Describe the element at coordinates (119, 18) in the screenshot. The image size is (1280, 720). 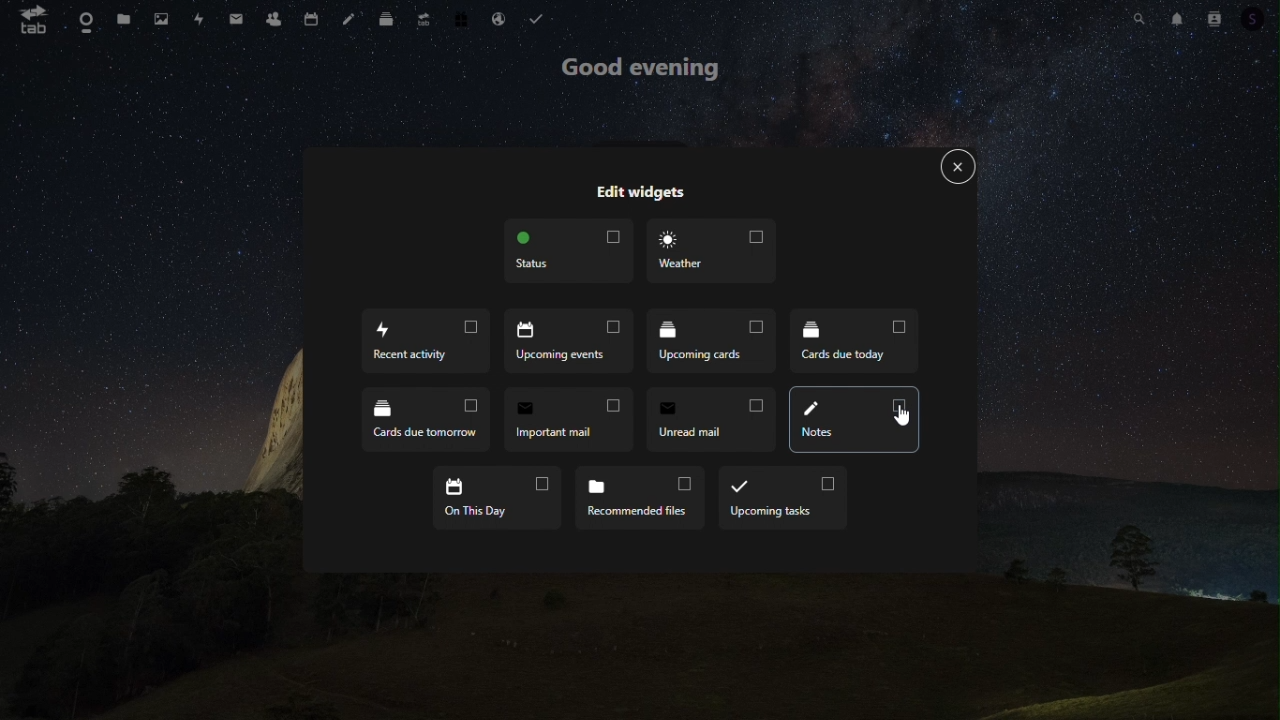
I see `Files` at that location.